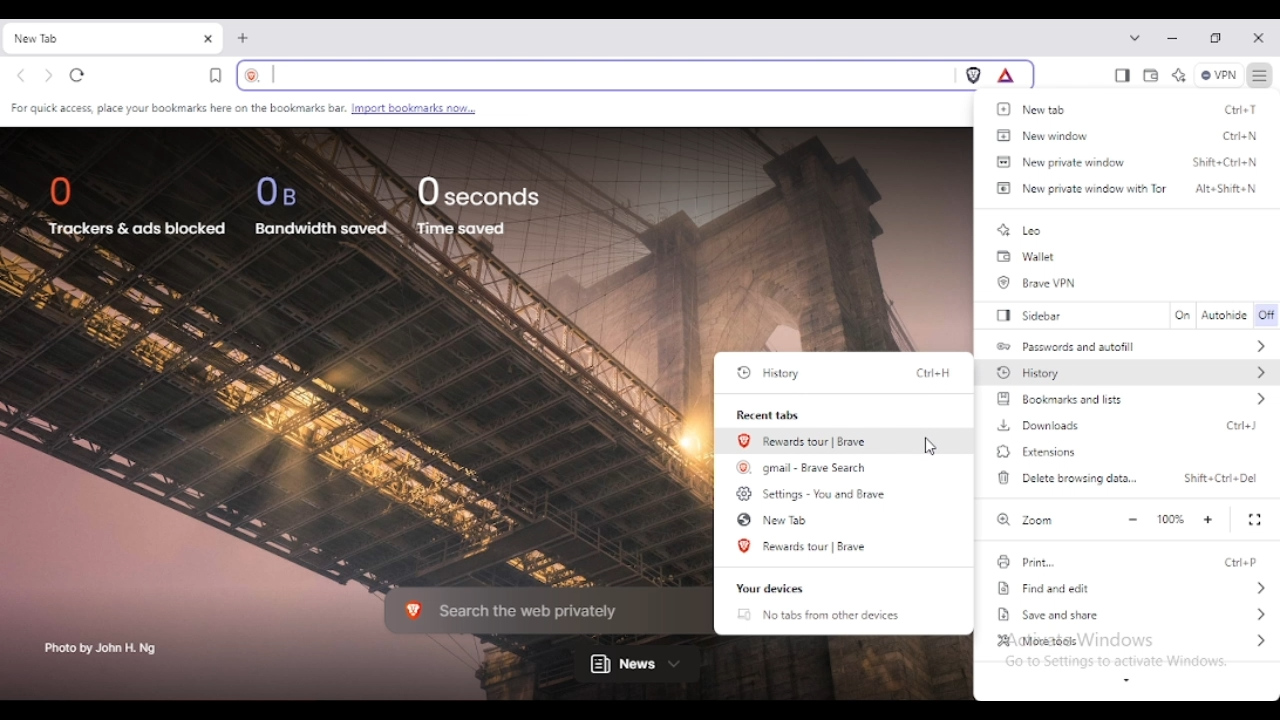 This screenshot has height=720, width=1280. I want to click on off, so click(1268, 316).